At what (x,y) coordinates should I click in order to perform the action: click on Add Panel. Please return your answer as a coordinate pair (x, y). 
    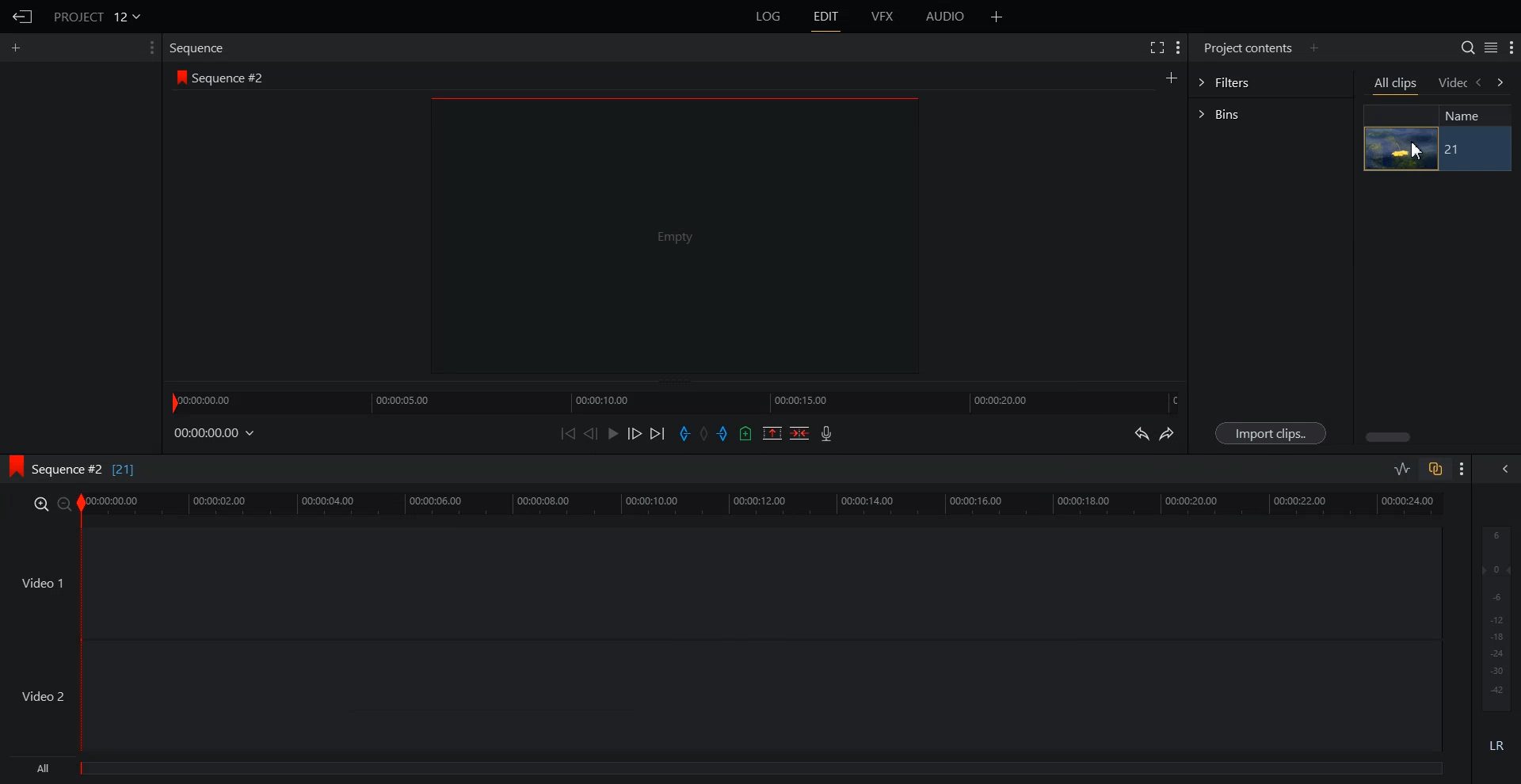
    Looking at the image, I should click on (19, 47).